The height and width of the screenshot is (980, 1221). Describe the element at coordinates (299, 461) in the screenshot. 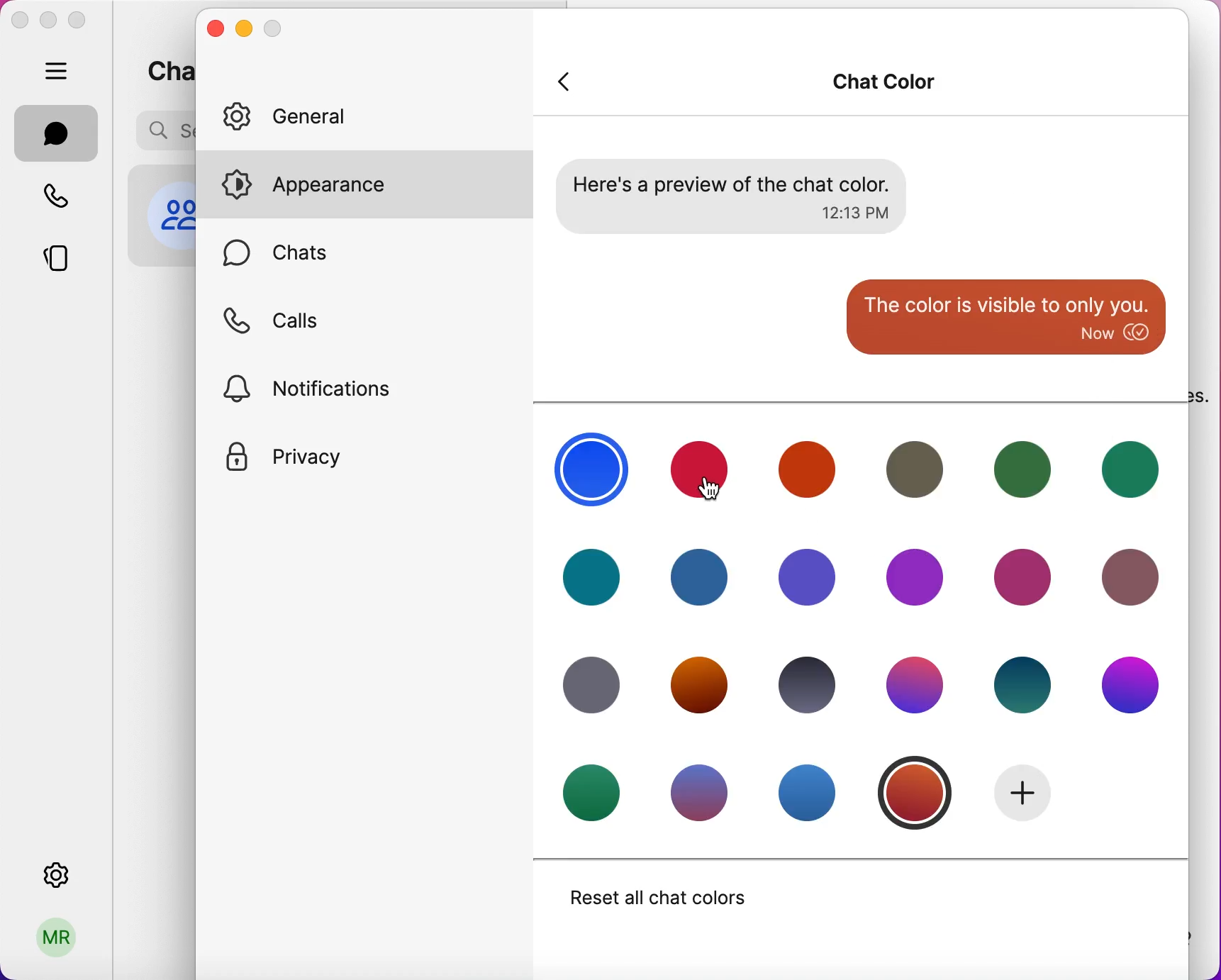

I see `privacy` at that location.